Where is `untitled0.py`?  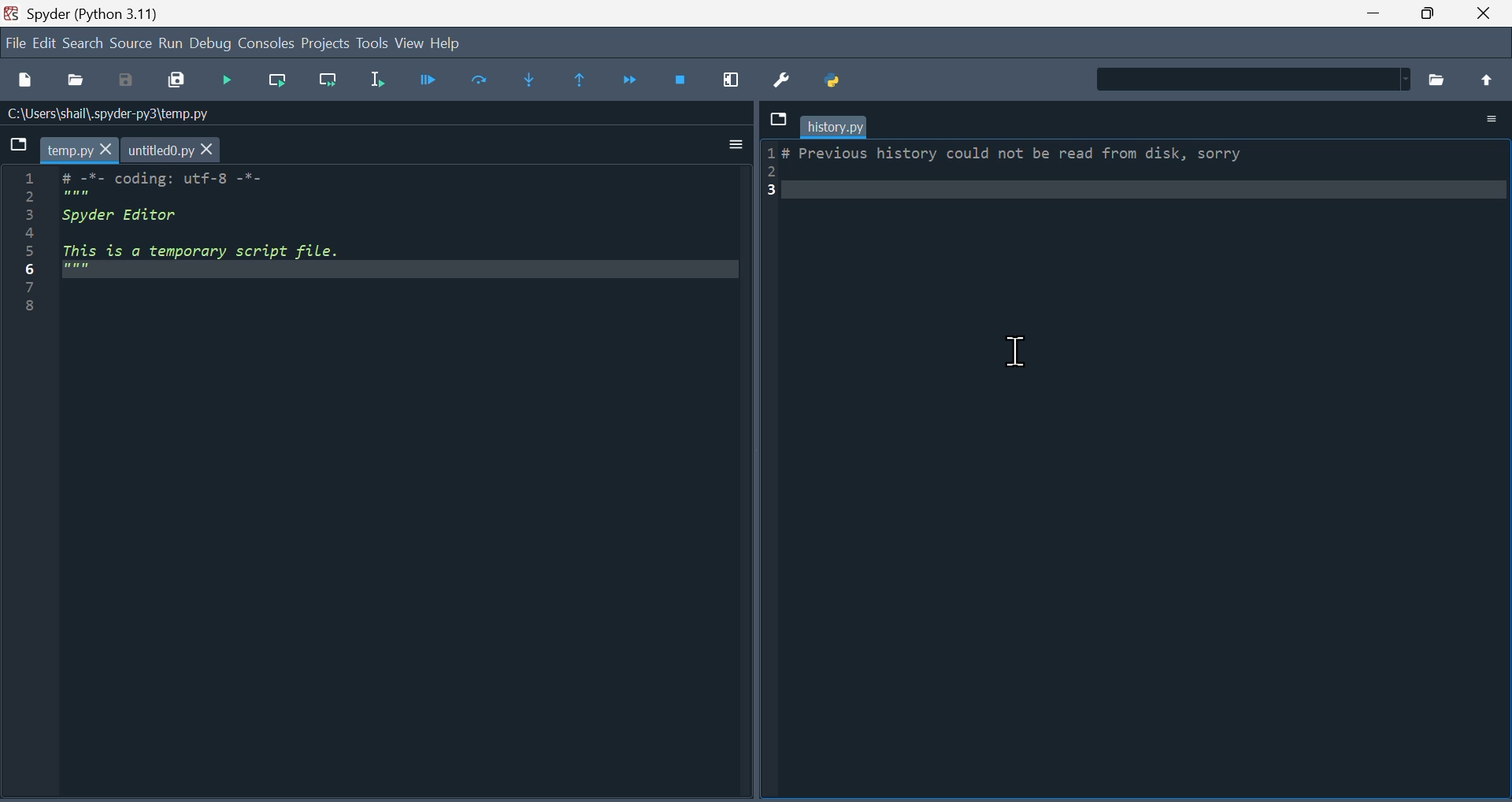 untitled0.py is located at coordinates (172, 150).